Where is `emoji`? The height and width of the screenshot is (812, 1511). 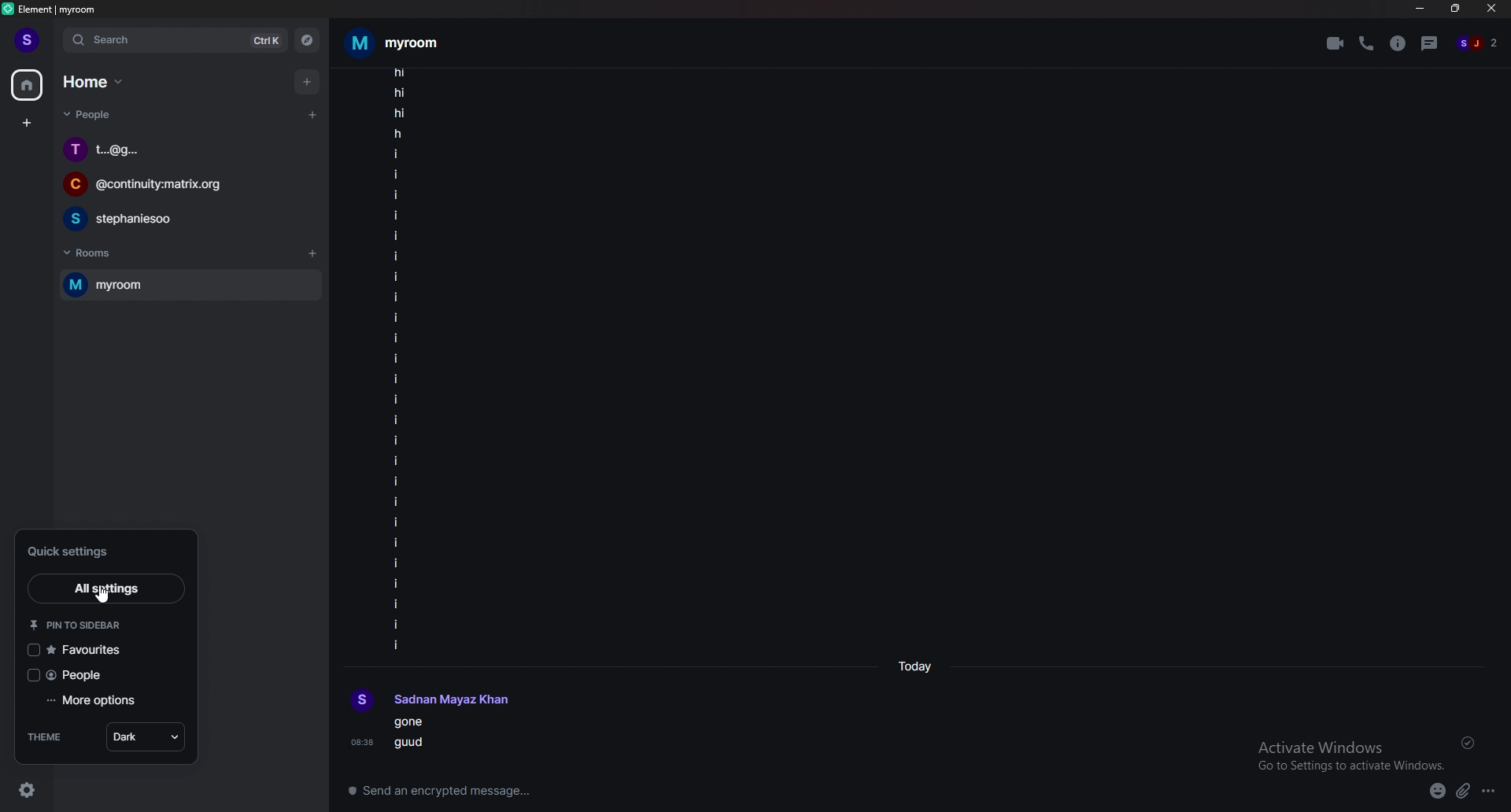
emoji is located at coordinates (1438, 792).